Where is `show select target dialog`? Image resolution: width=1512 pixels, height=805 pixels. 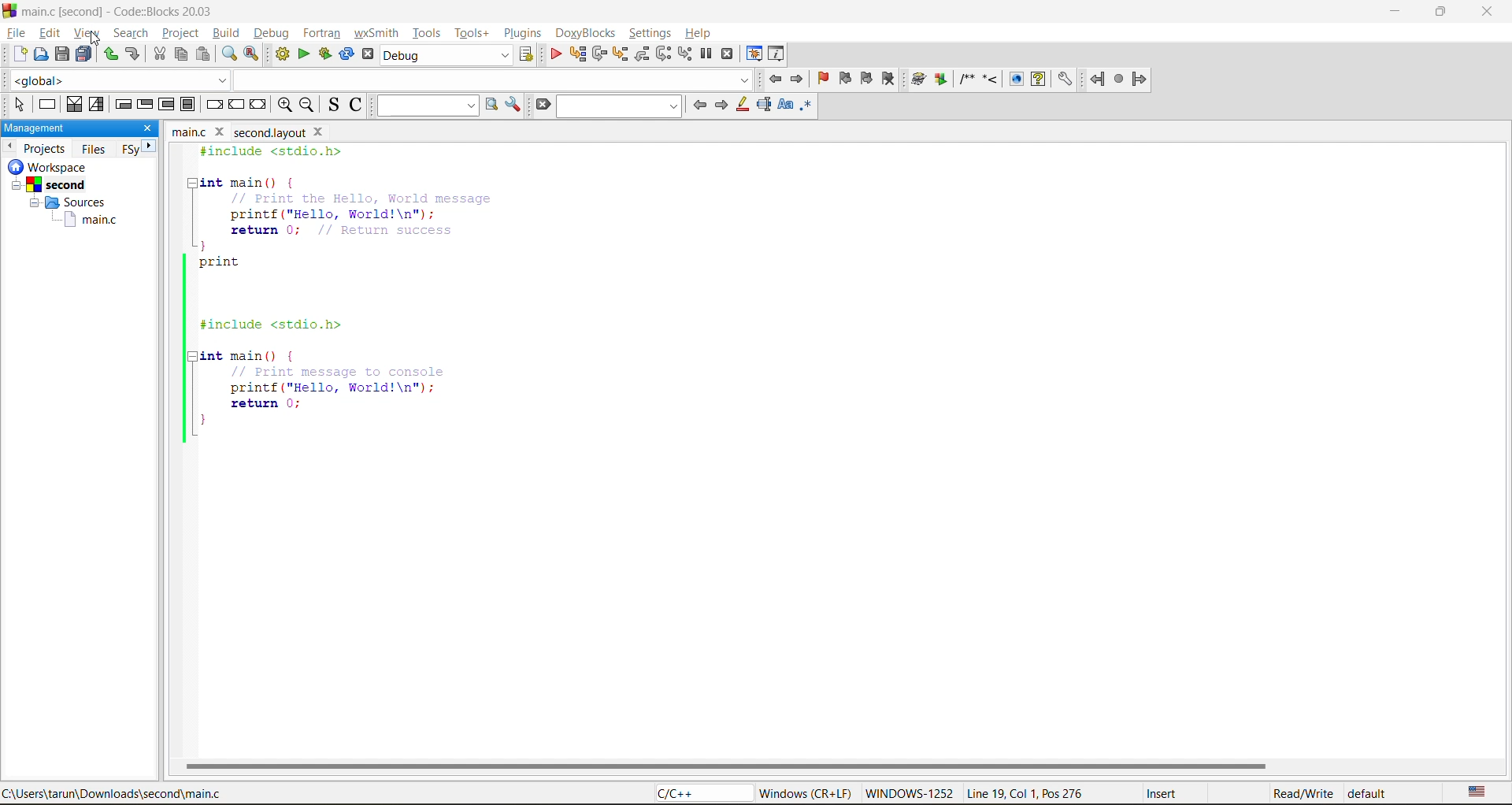
show select target dialog is located at coordinates (524, 54).